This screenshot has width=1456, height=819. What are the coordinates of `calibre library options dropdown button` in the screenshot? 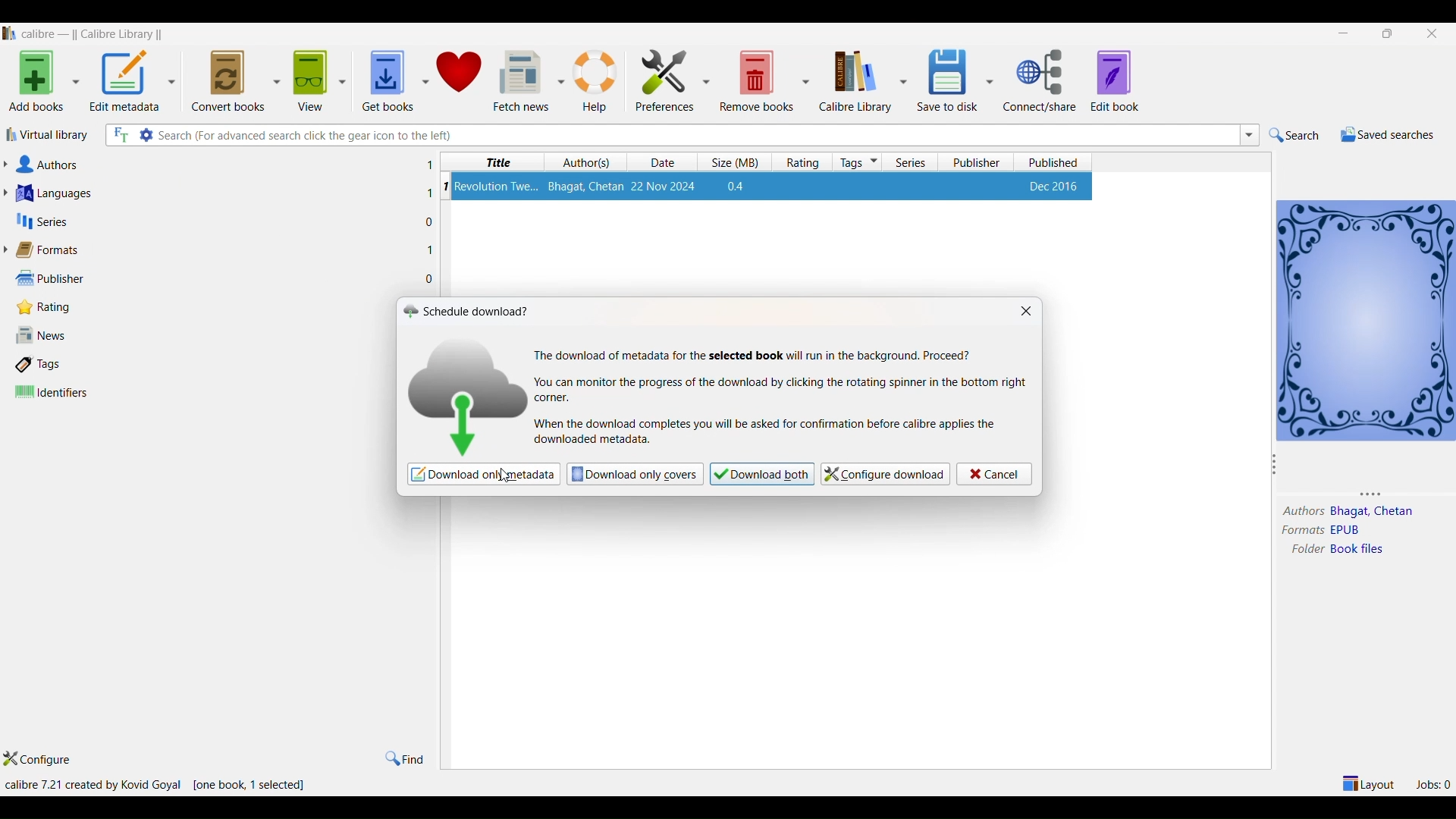 It's located at (903, 80).